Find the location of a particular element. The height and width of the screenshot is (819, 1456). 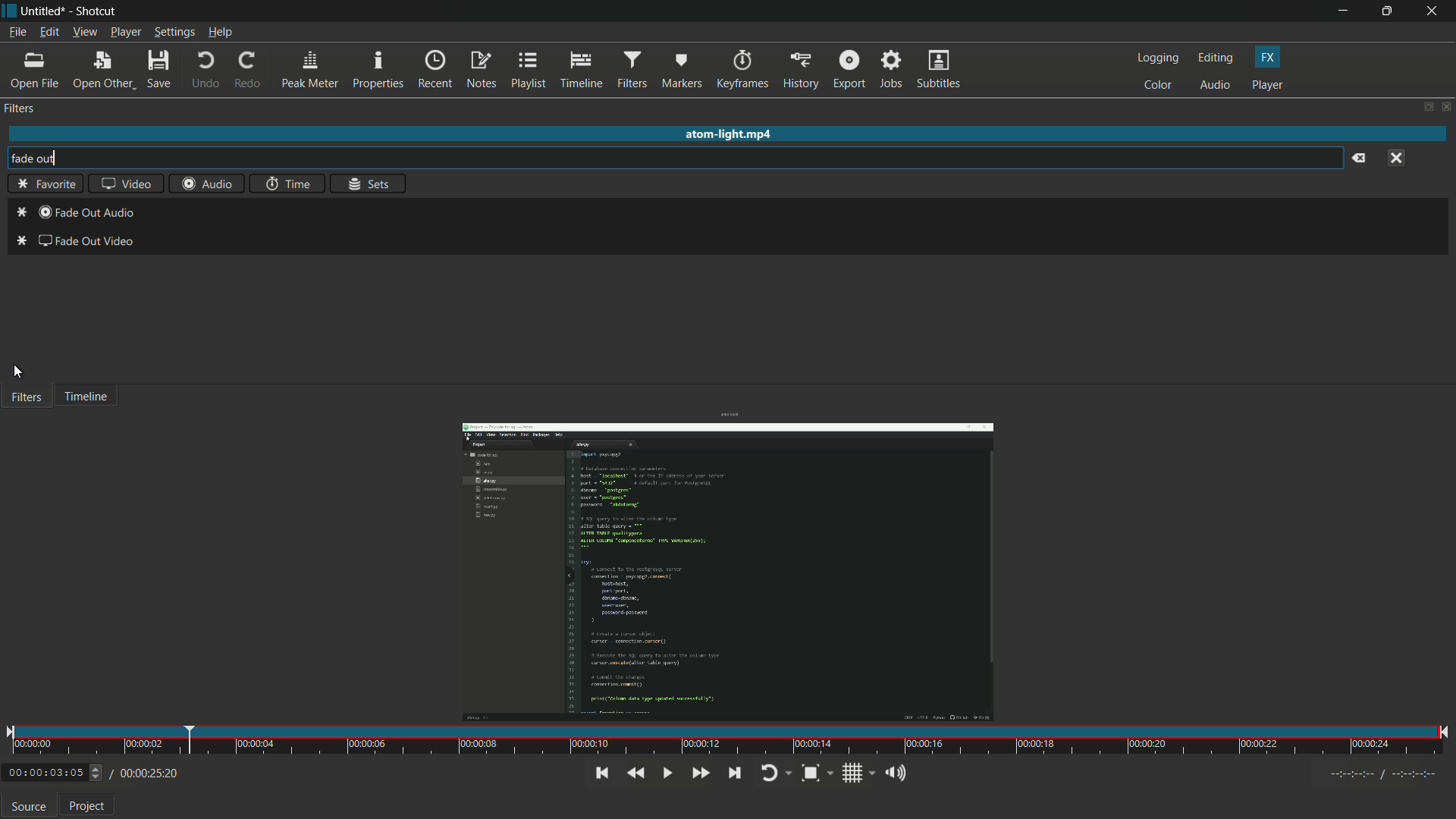

markers is located at coordinates (682, 70).